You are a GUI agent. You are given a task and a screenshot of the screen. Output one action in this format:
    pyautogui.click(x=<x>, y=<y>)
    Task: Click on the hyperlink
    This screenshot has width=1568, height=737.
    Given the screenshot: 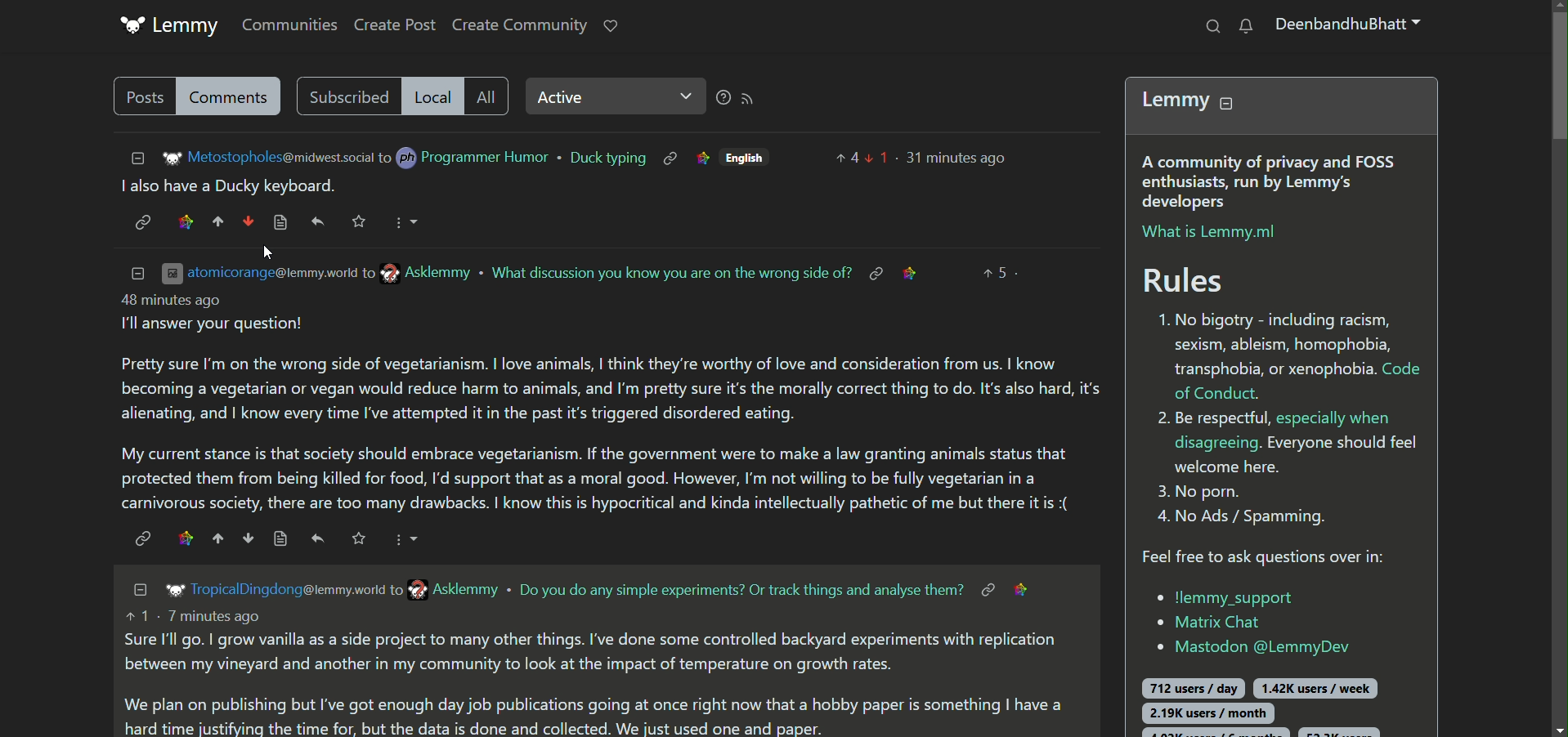 What is the action you would take?
    pyautogui.click(x=670, y=158)
    